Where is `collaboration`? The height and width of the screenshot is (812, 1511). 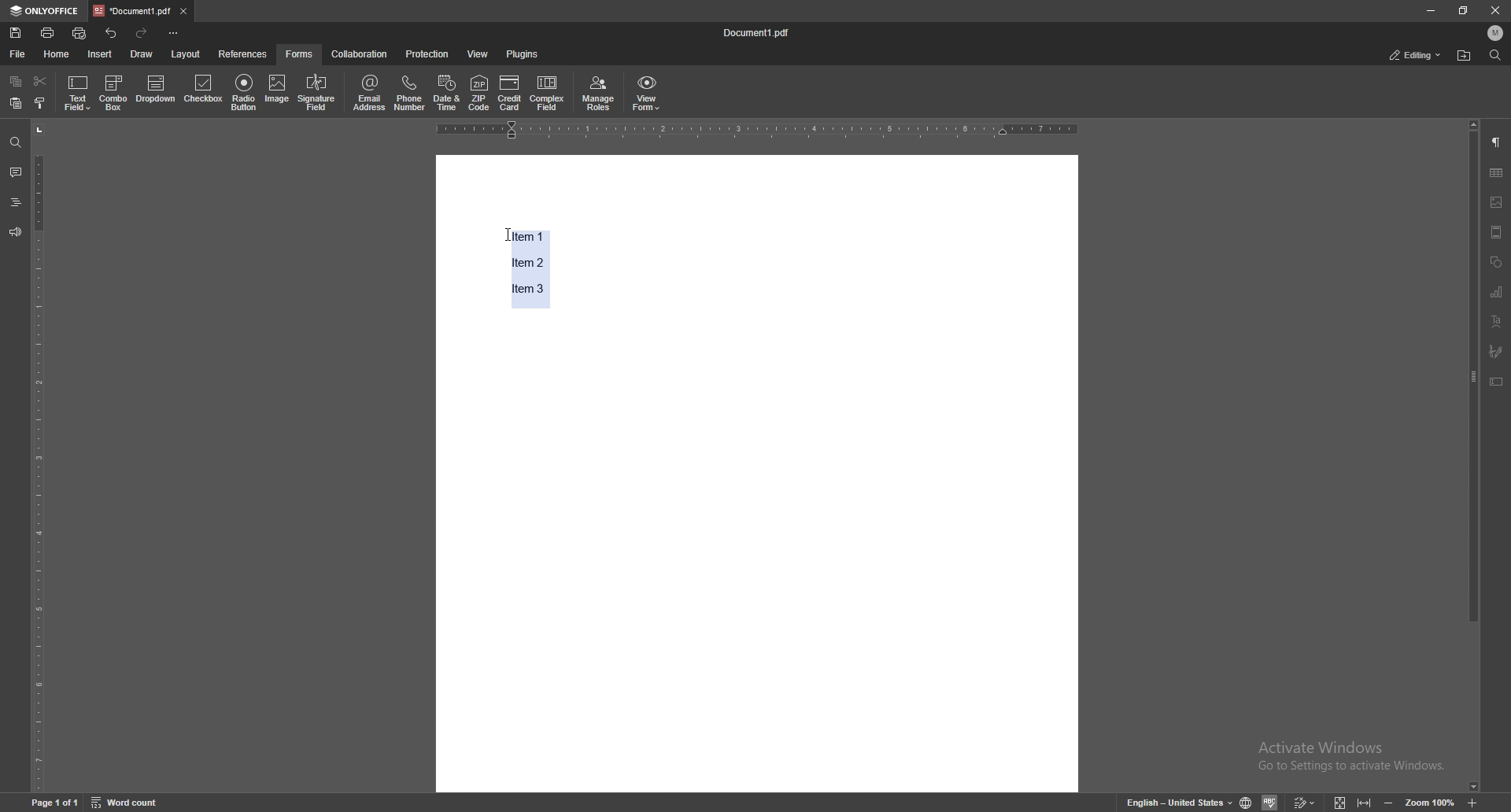
collaboration is located at coordinates (358, 54).